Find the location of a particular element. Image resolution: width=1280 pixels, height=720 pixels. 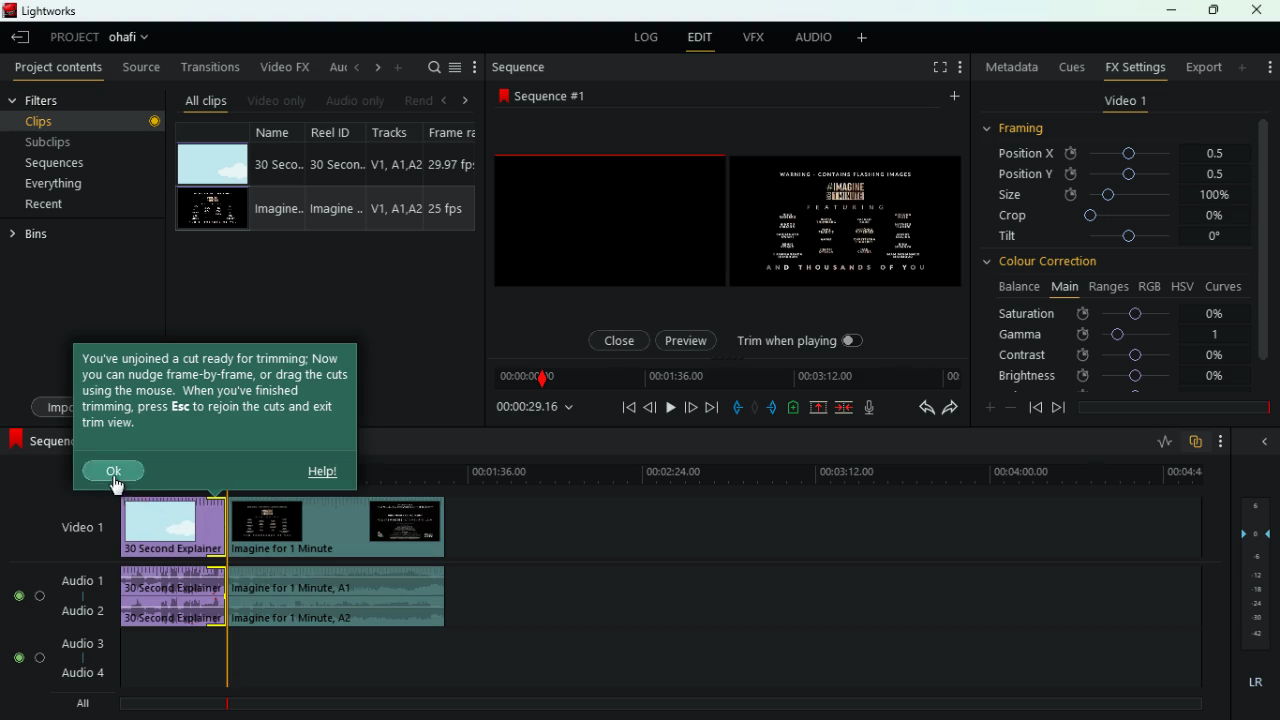

more is located at coordinates (1244, 67).